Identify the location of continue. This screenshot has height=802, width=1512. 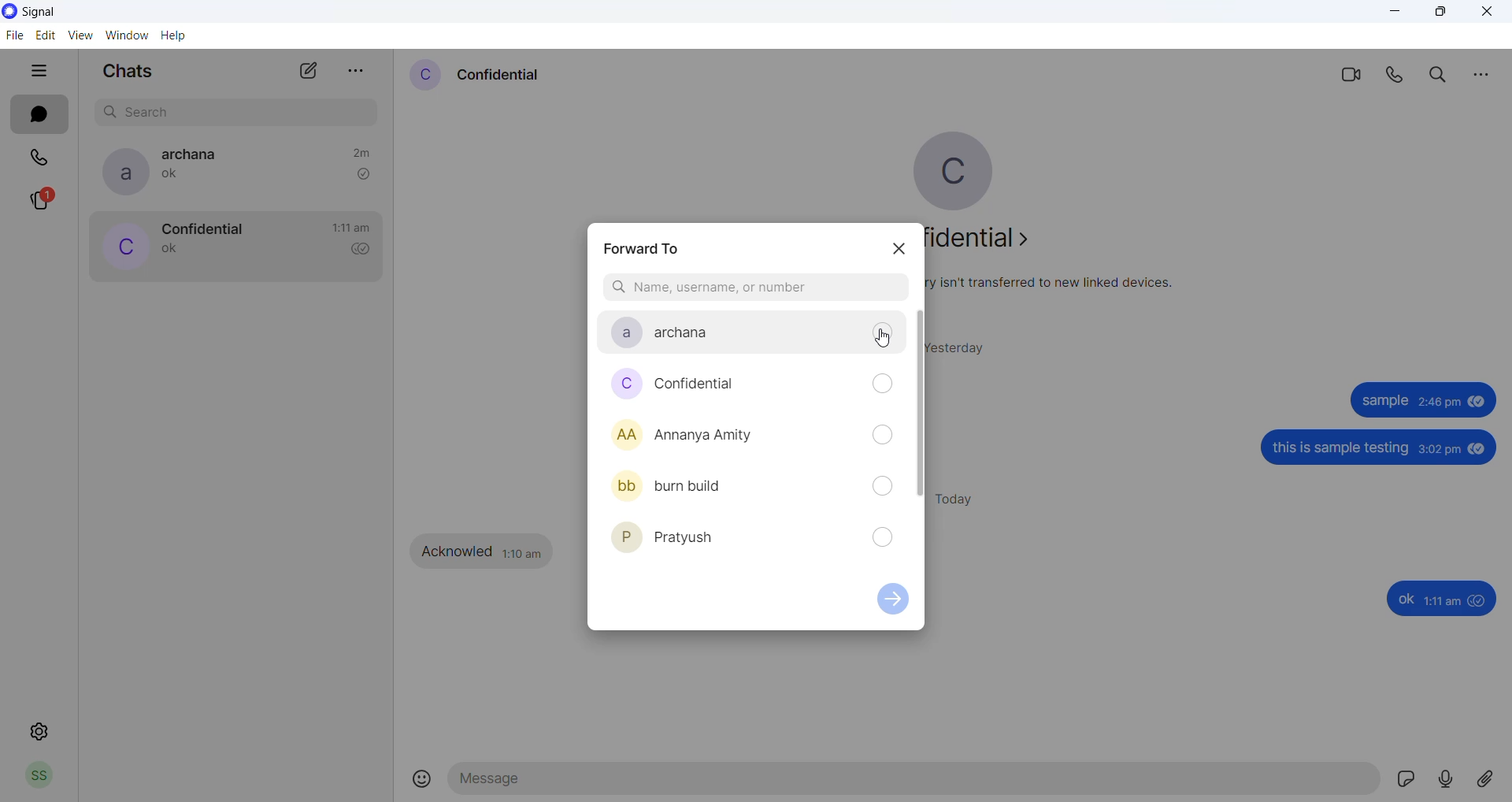
(895, 603).